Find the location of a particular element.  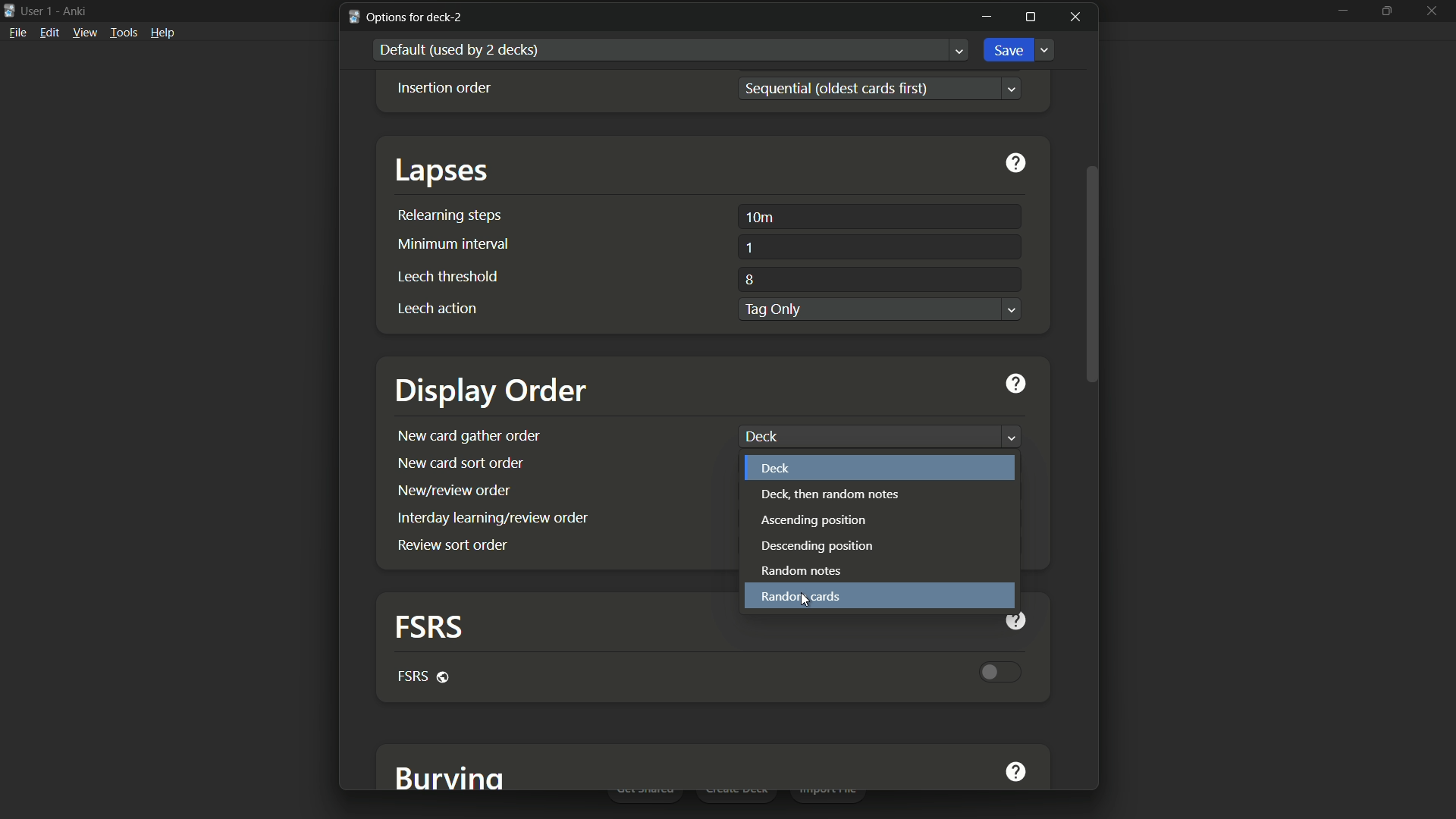

random notes is located at coordinates (804, 572).